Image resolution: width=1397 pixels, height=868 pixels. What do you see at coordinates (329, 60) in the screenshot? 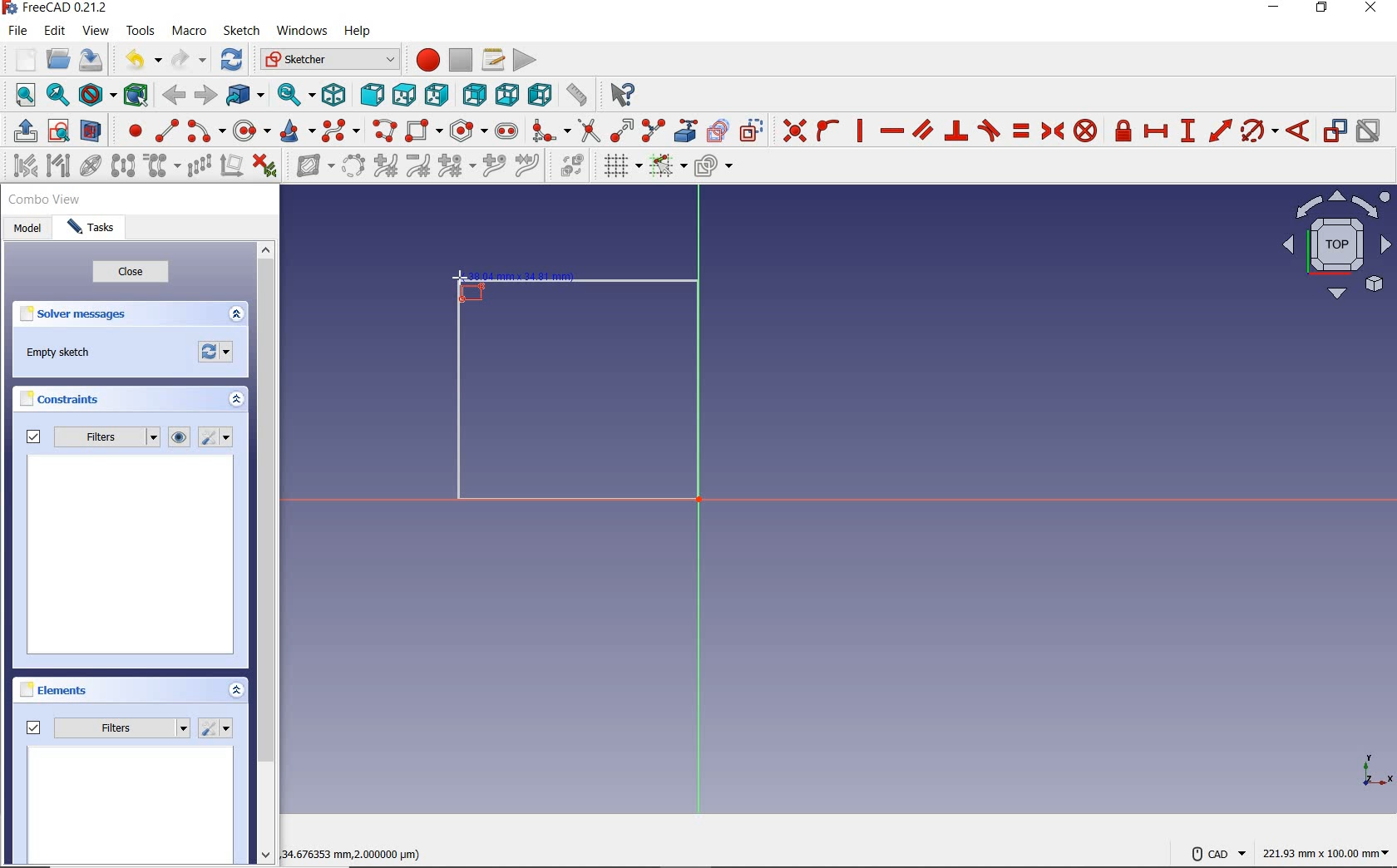
I see `switch between workbenches` at bounding box center [329, 60].